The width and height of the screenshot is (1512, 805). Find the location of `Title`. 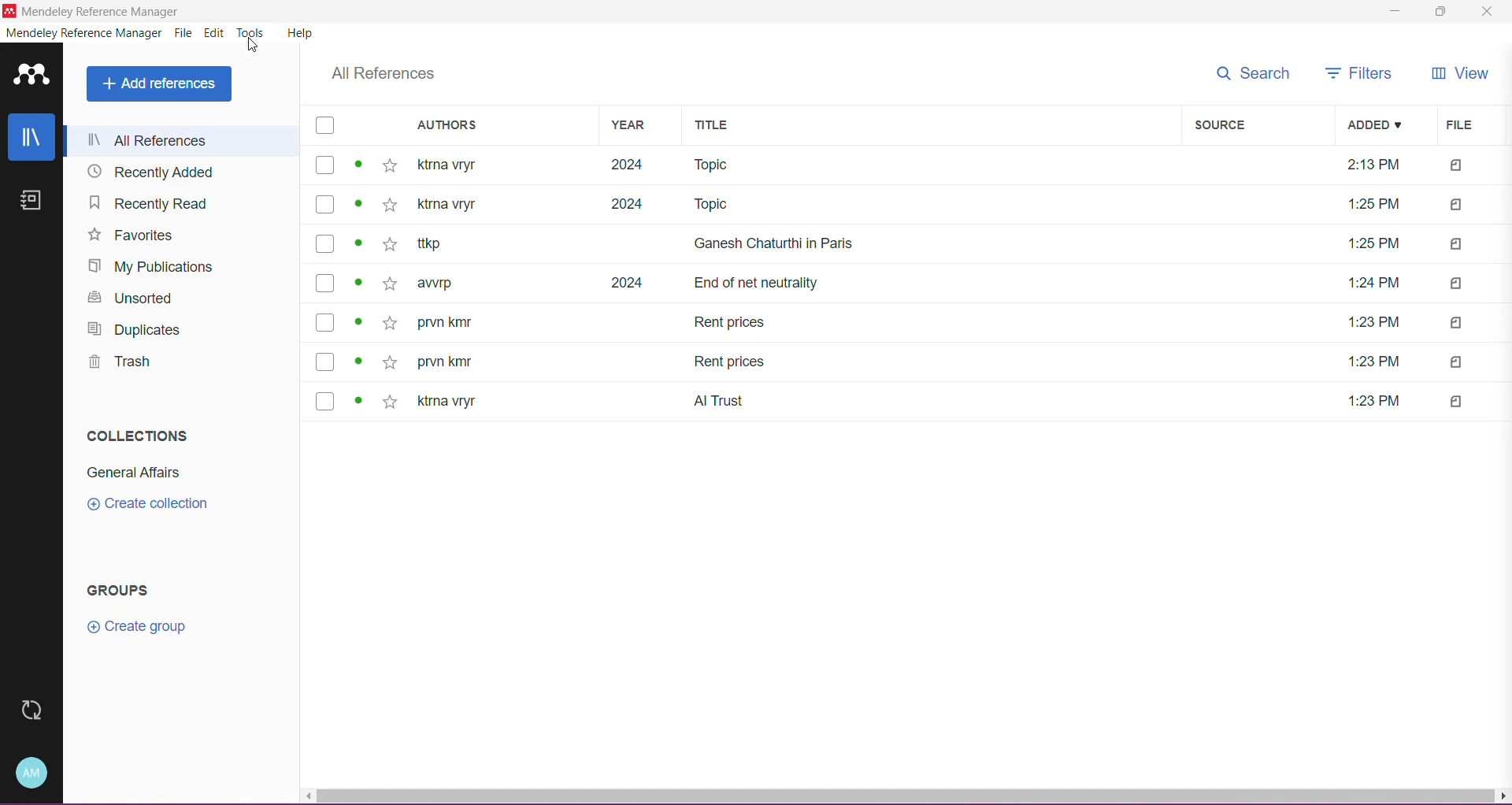

Title is located at coordinates (721, 206).